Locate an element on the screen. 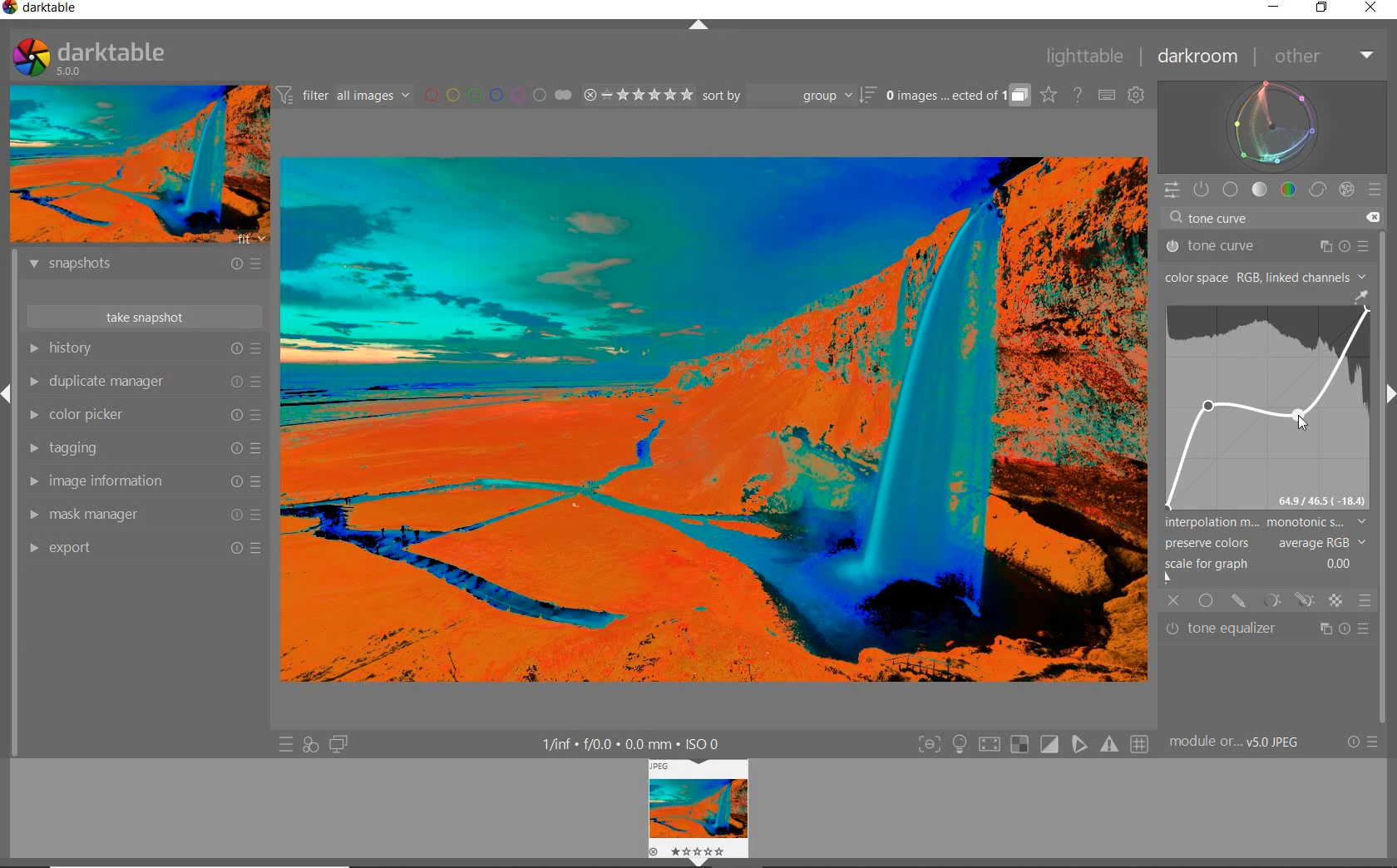 This screenshot has width=1397, height=868. RANGE RATING OF SELECTED IMAGES is located at coordinates (638, 94).